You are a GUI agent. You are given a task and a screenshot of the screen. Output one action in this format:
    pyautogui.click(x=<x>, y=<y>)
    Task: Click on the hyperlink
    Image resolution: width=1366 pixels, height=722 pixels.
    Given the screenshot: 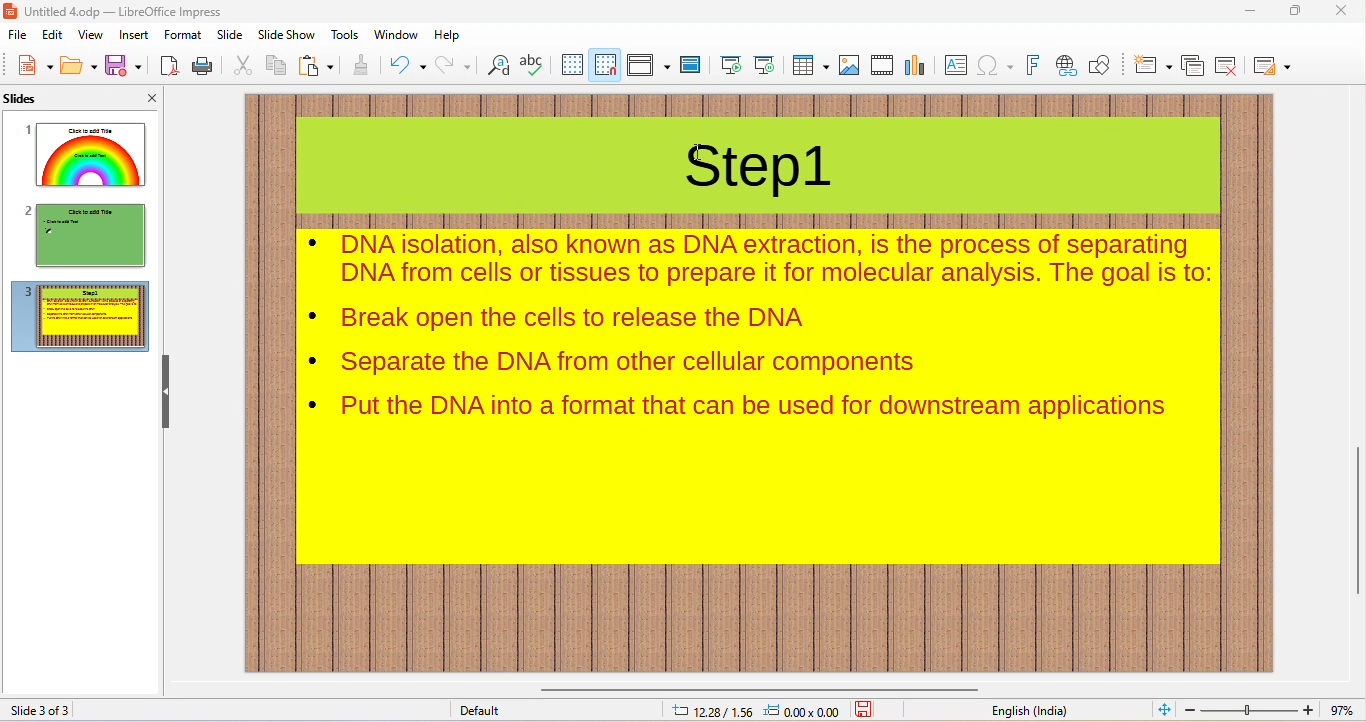 What is the action you would take?
    pyautogui.click(x=1065, y=66)
    